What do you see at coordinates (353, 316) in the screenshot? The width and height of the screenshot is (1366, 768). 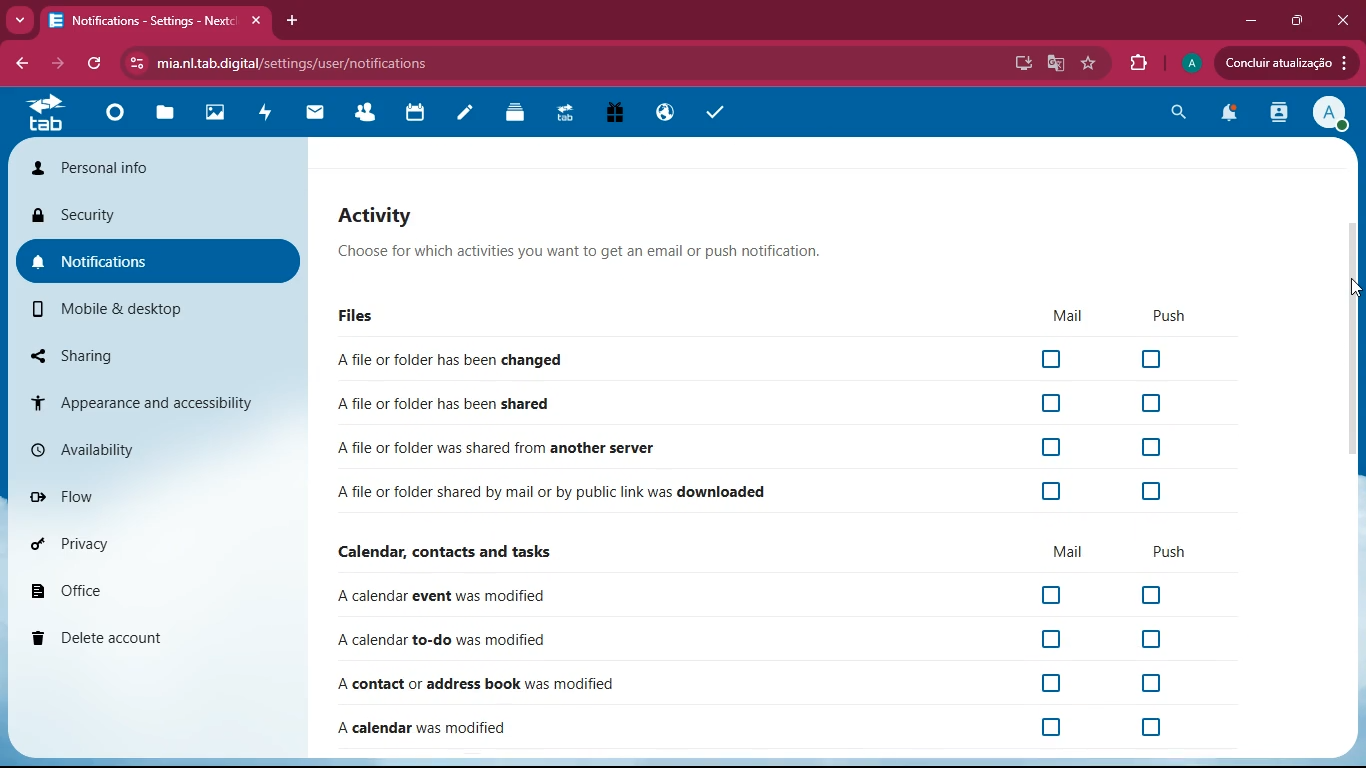 I see `Files` at bounding box center [353, 316].